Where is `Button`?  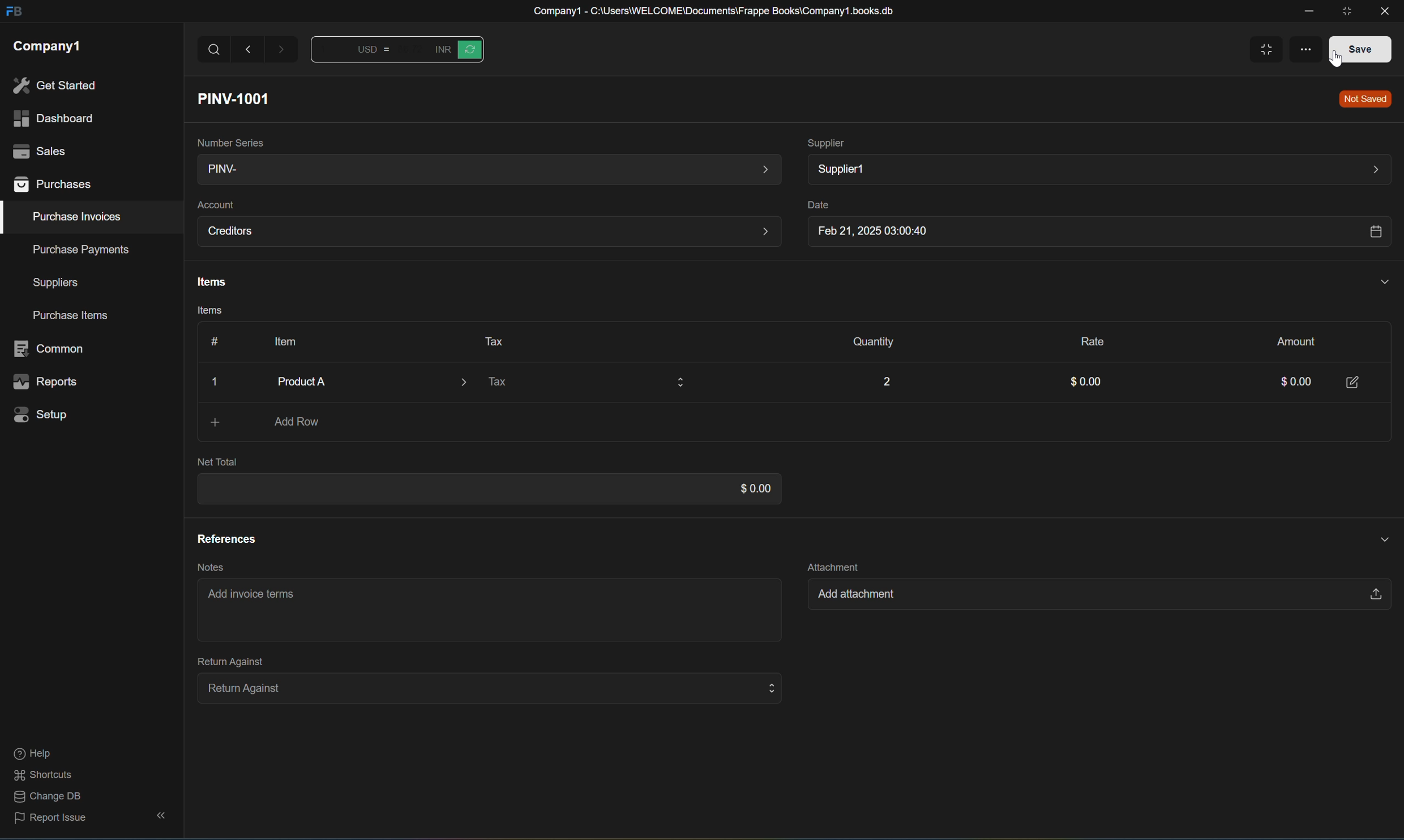
Button is located at coordinates (456, 49).